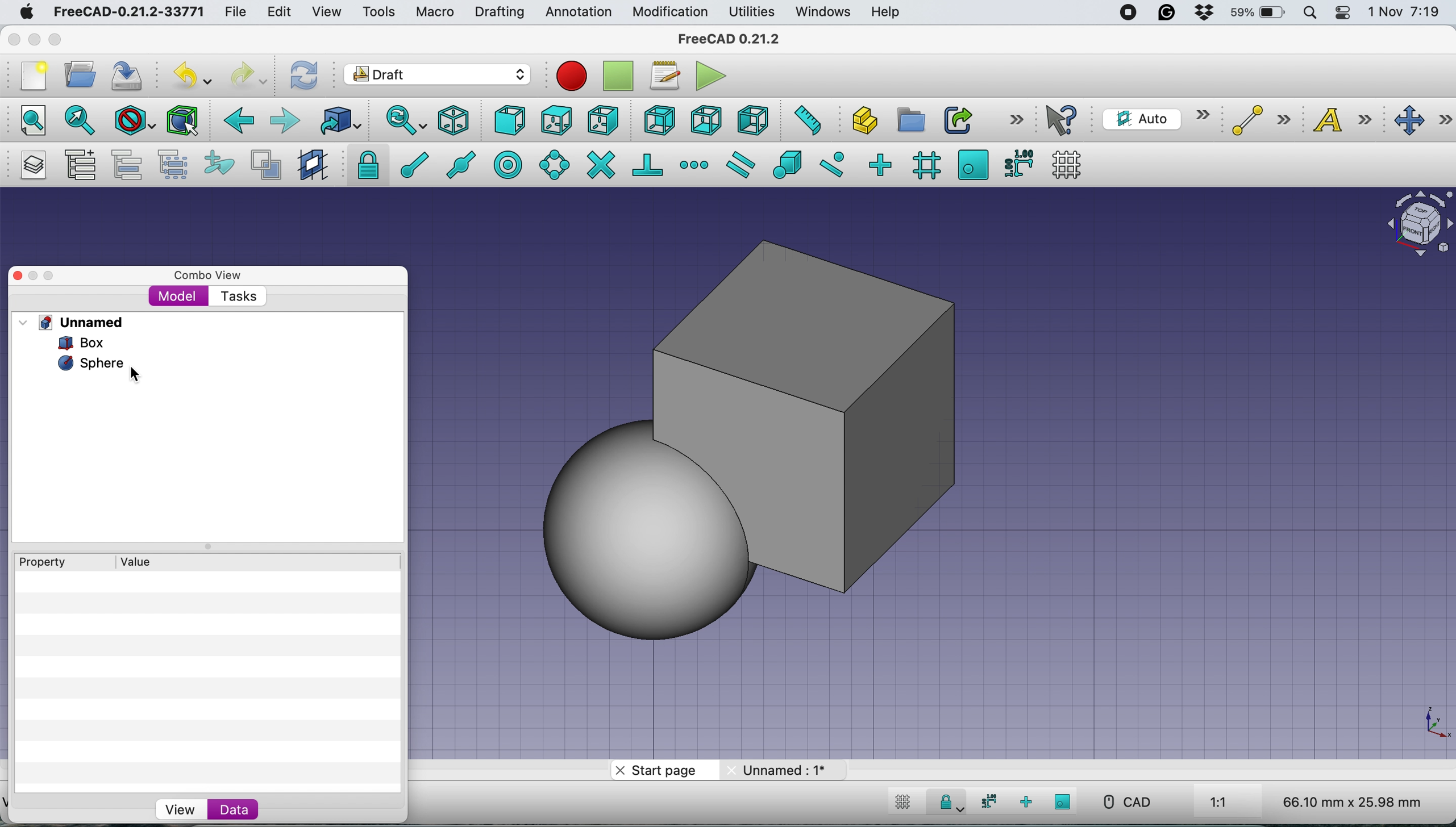  Describe the element at coordinates (172, 167) in the screenshot. I see `select group` at that location.